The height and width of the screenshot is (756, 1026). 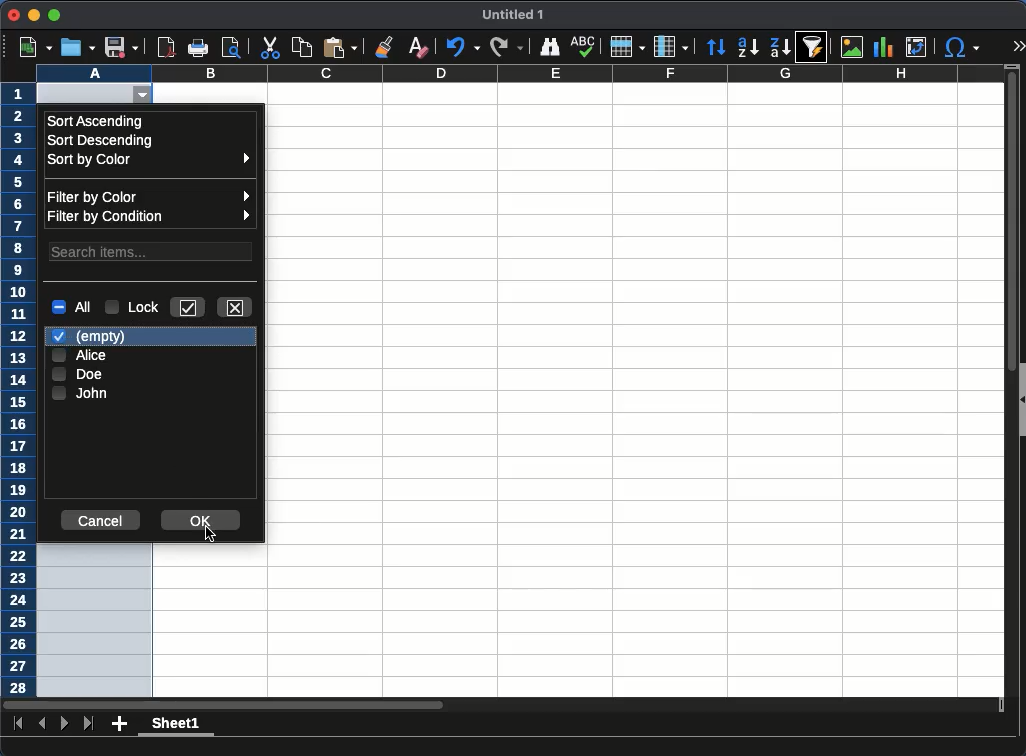 I want to click on copy, so click(x=303, y=48).